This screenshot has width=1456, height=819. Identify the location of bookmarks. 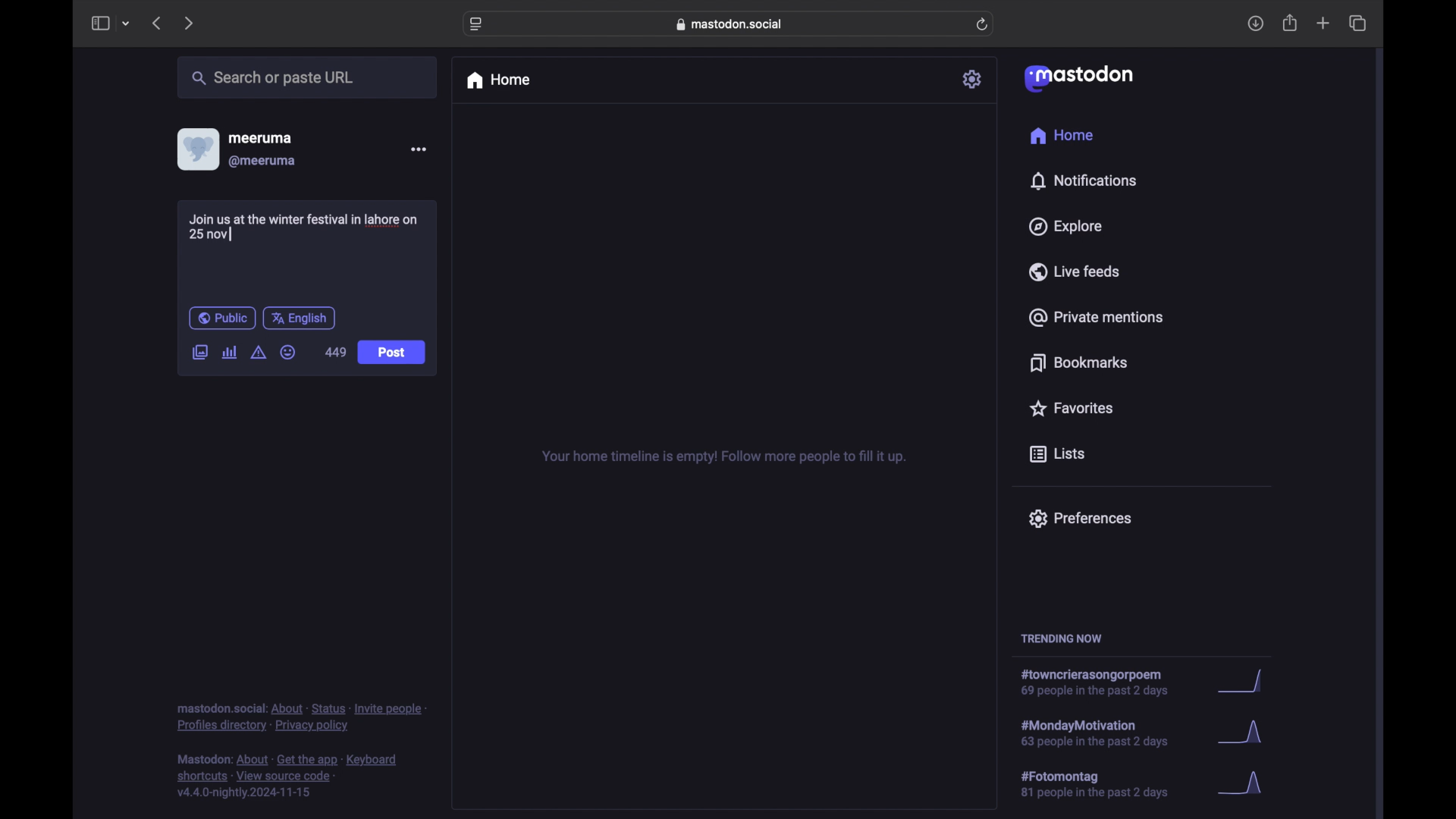
(1078, 362).